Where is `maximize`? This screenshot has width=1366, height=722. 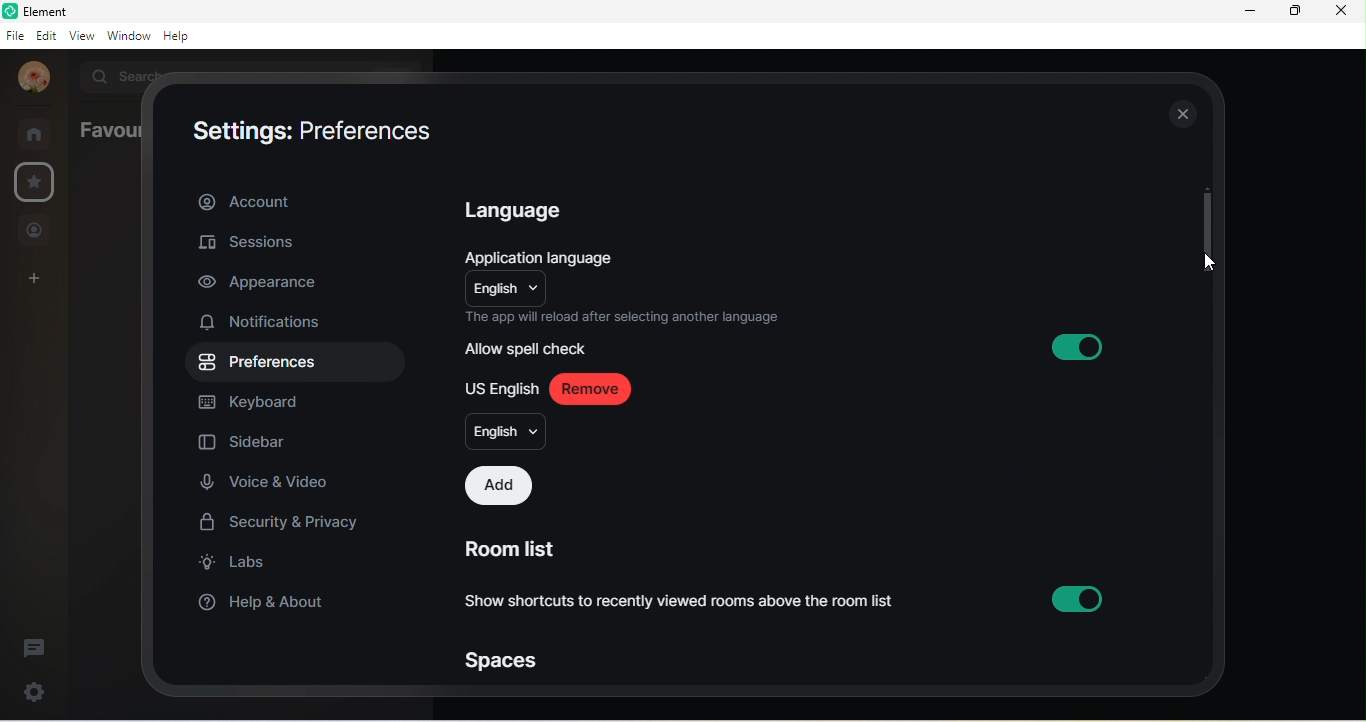 maximize is located at coordinates (1293, 13).